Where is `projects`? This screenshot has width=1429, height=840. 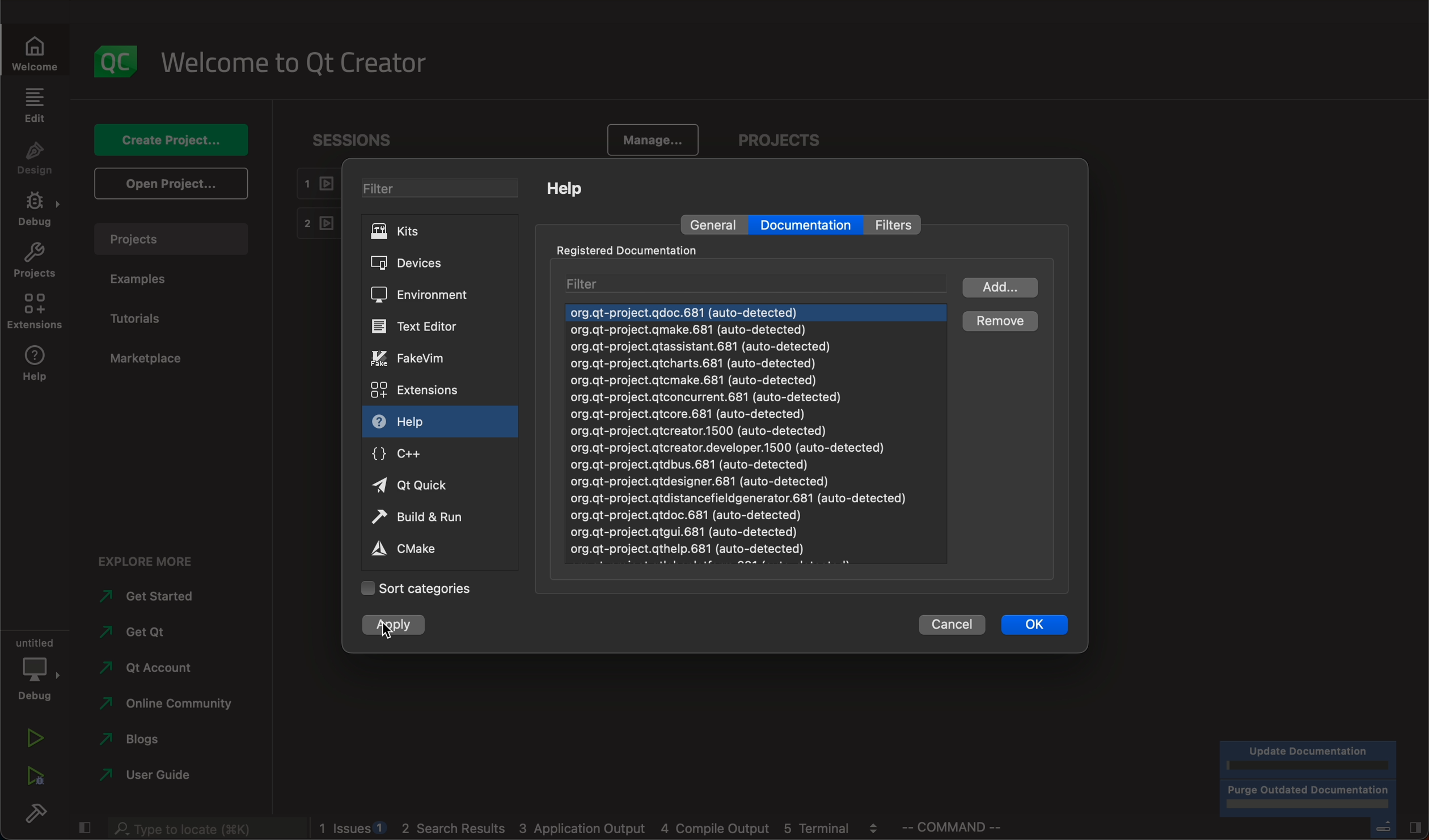
projects is located at coordinates (788, 141).